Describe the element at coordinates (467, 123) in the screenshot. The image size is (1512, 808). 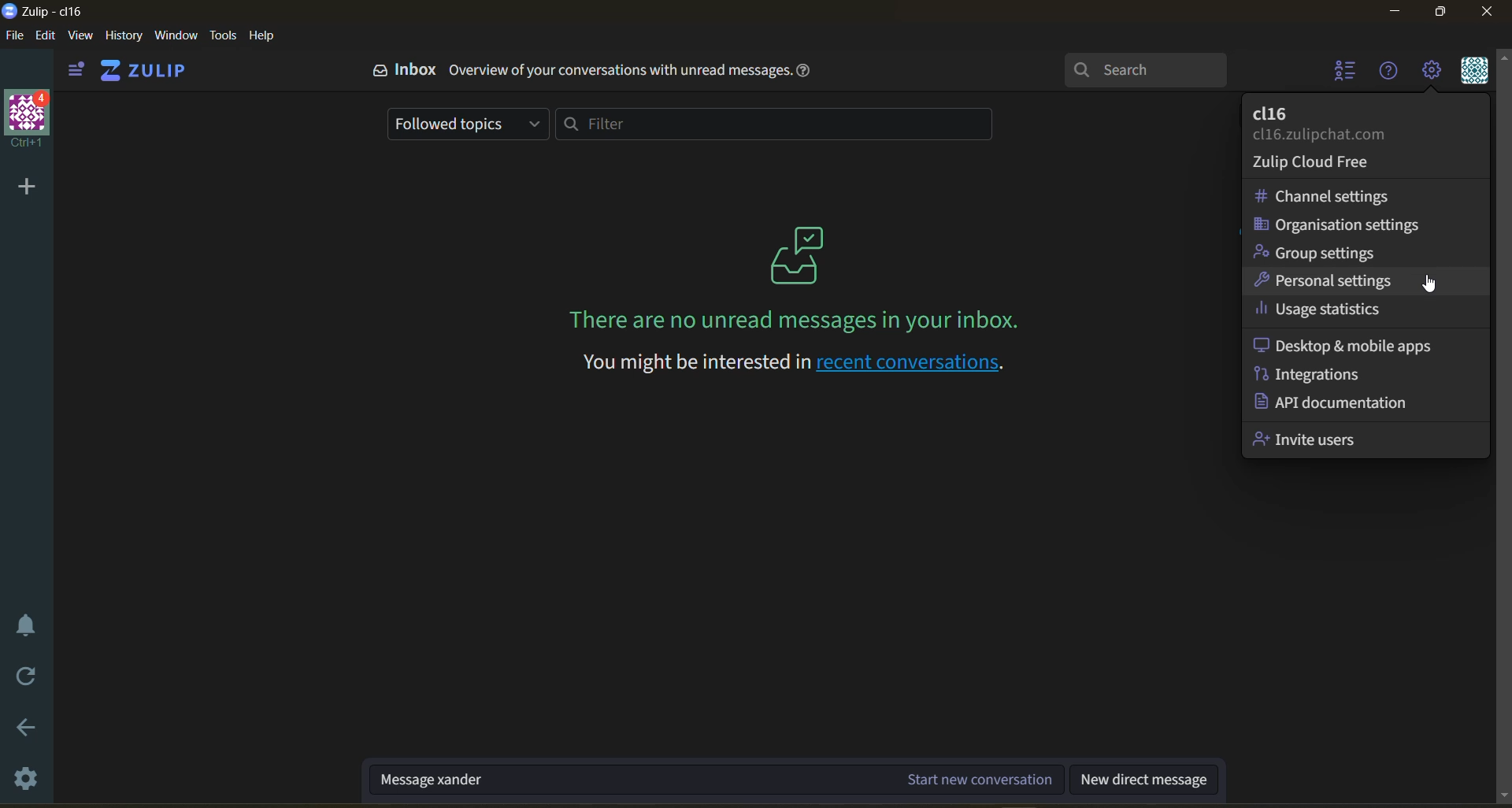
I see `followed topics` at that location.